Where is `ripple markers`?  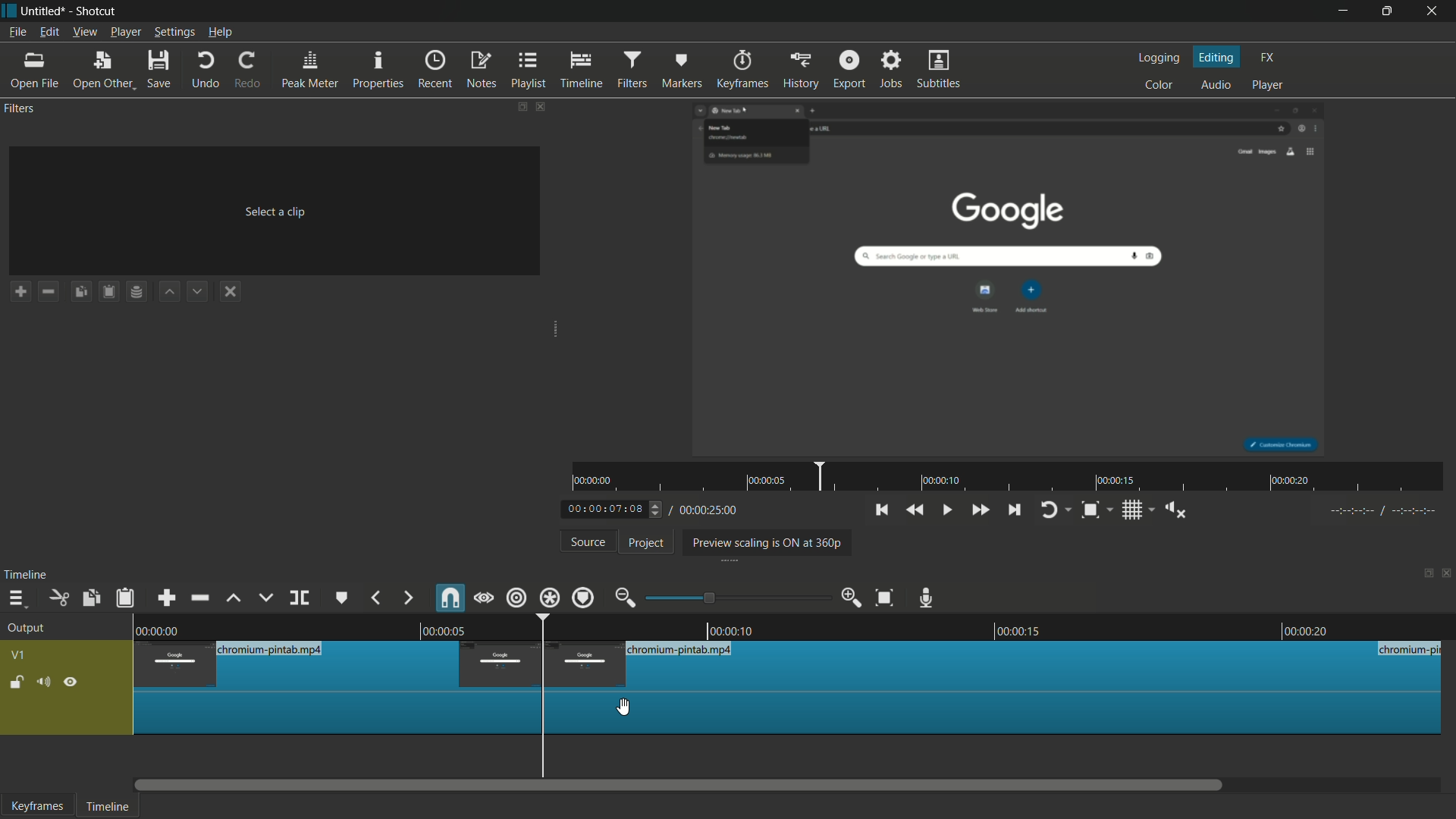
ripple markers is located at coordinates (583, 598).